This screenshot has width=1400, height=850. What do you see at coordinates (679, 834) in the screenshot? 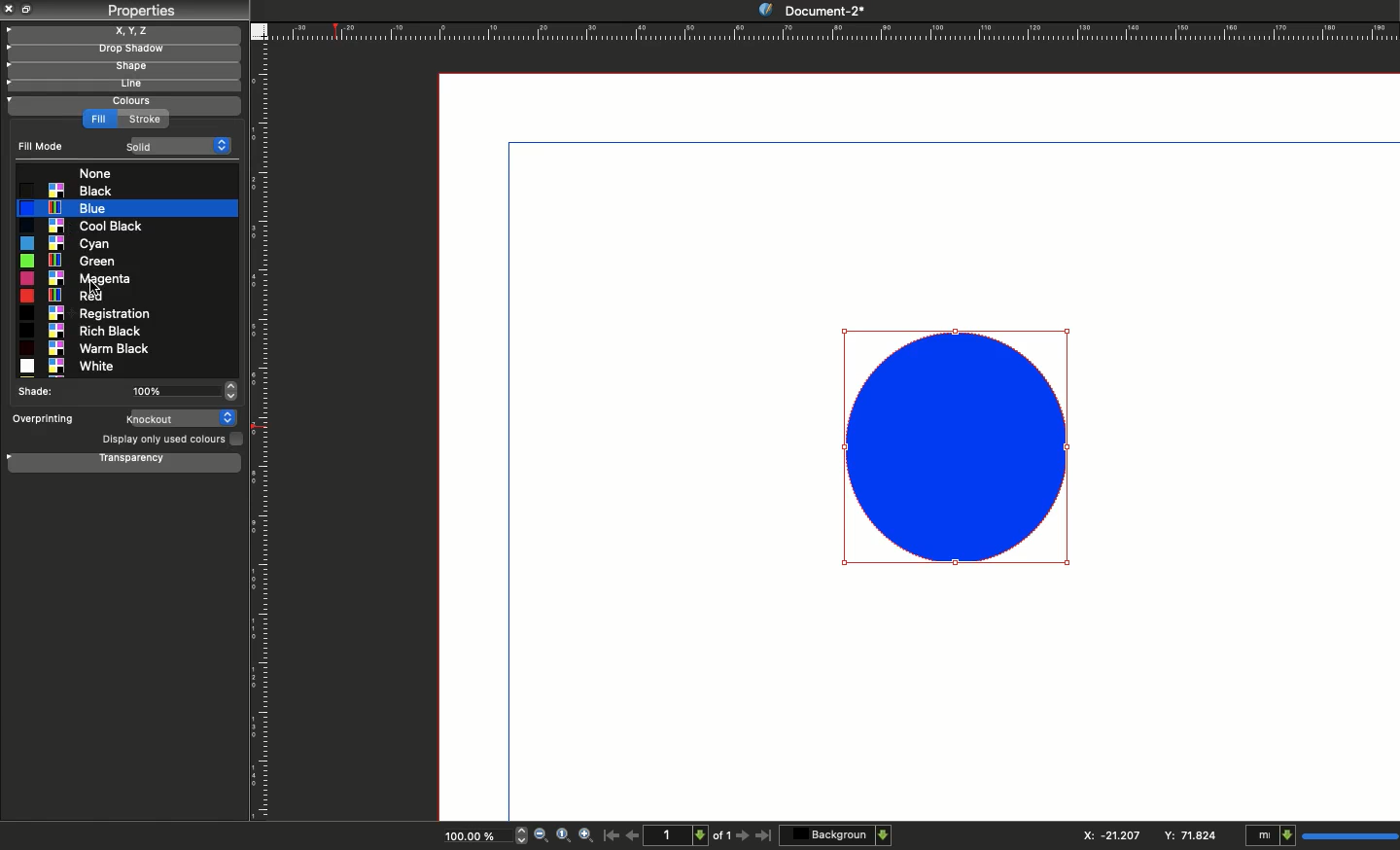
I see `1` at bounding box center [679, 834].